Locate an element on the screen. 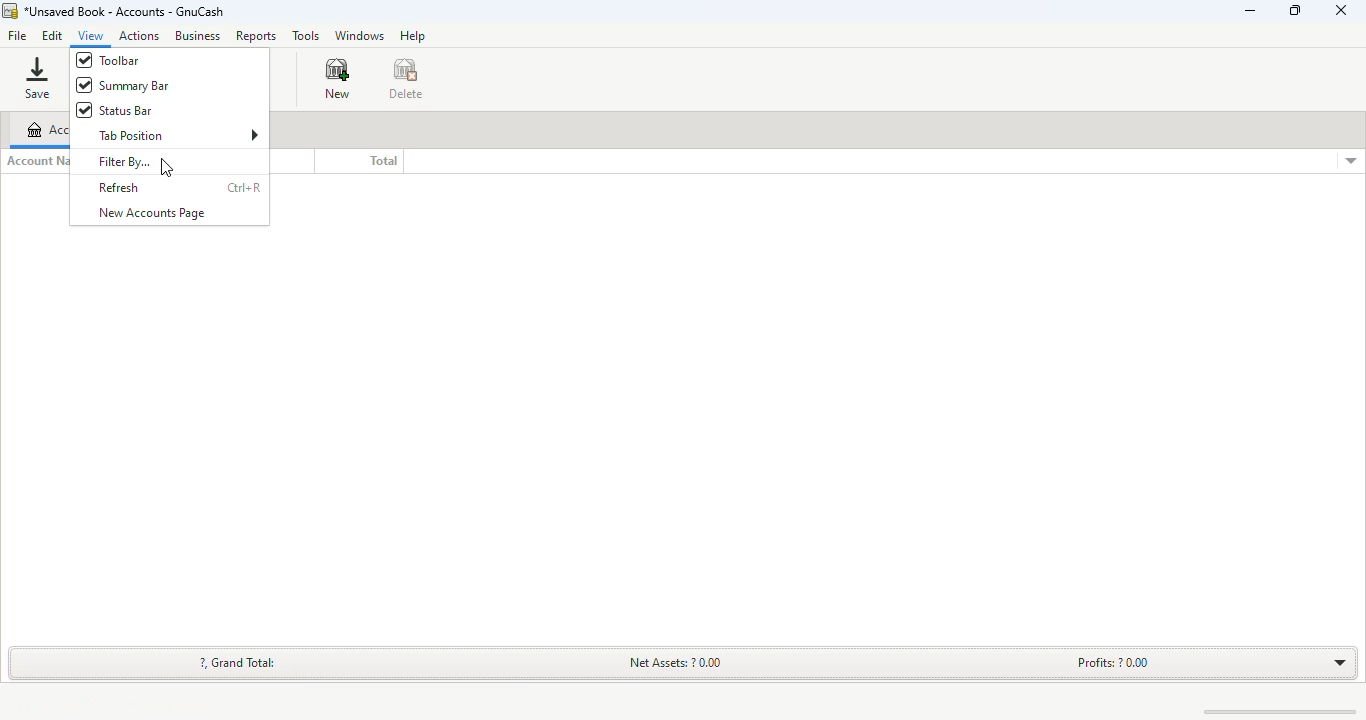 The image size is (1366, 720). refresh is located at coordinates (119, 188).